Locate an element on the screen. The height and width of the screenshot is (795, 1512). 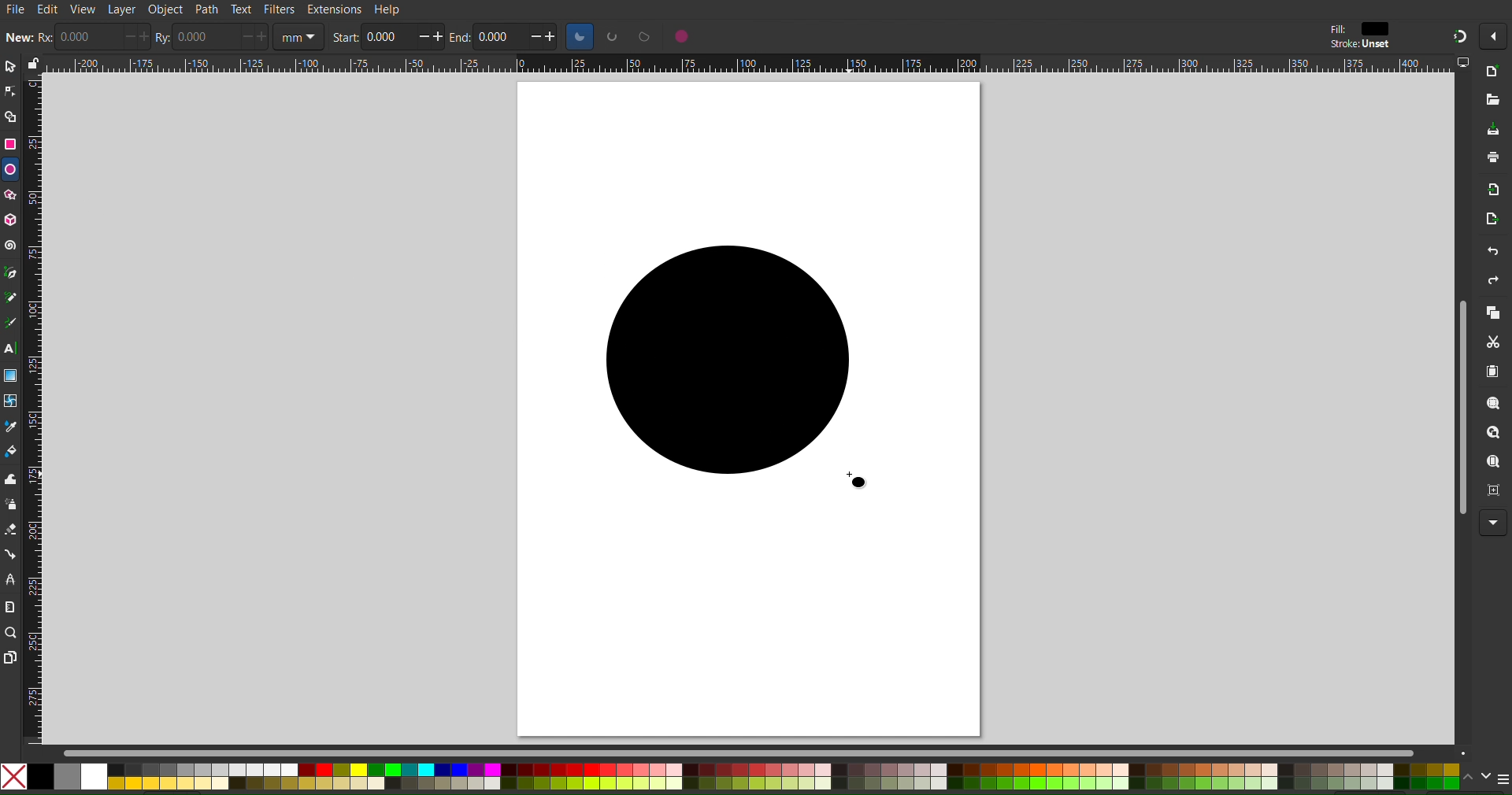
3D Box Tool is located at coordinates (10, 219).